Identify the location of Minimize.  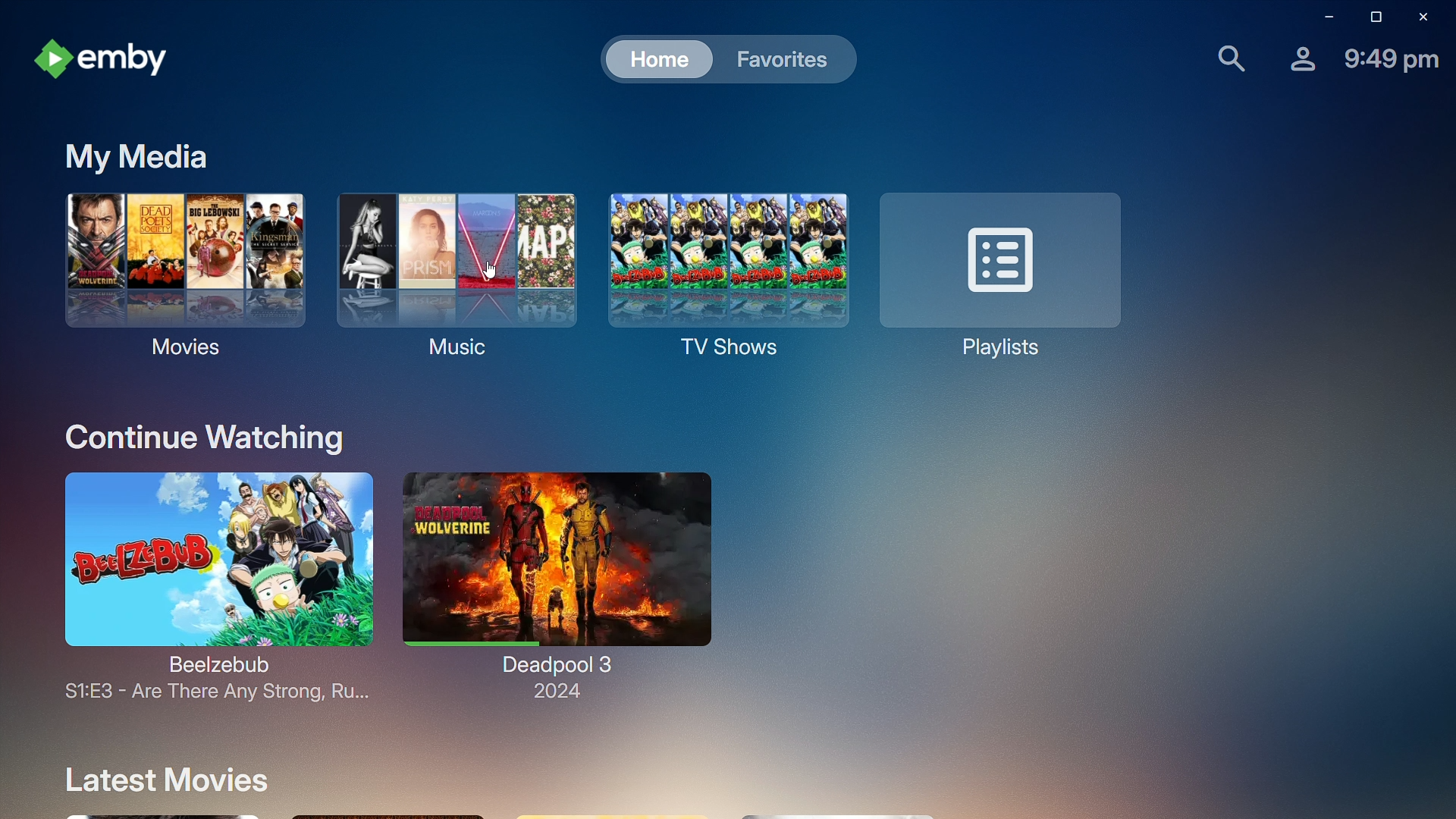
(1322, 17).